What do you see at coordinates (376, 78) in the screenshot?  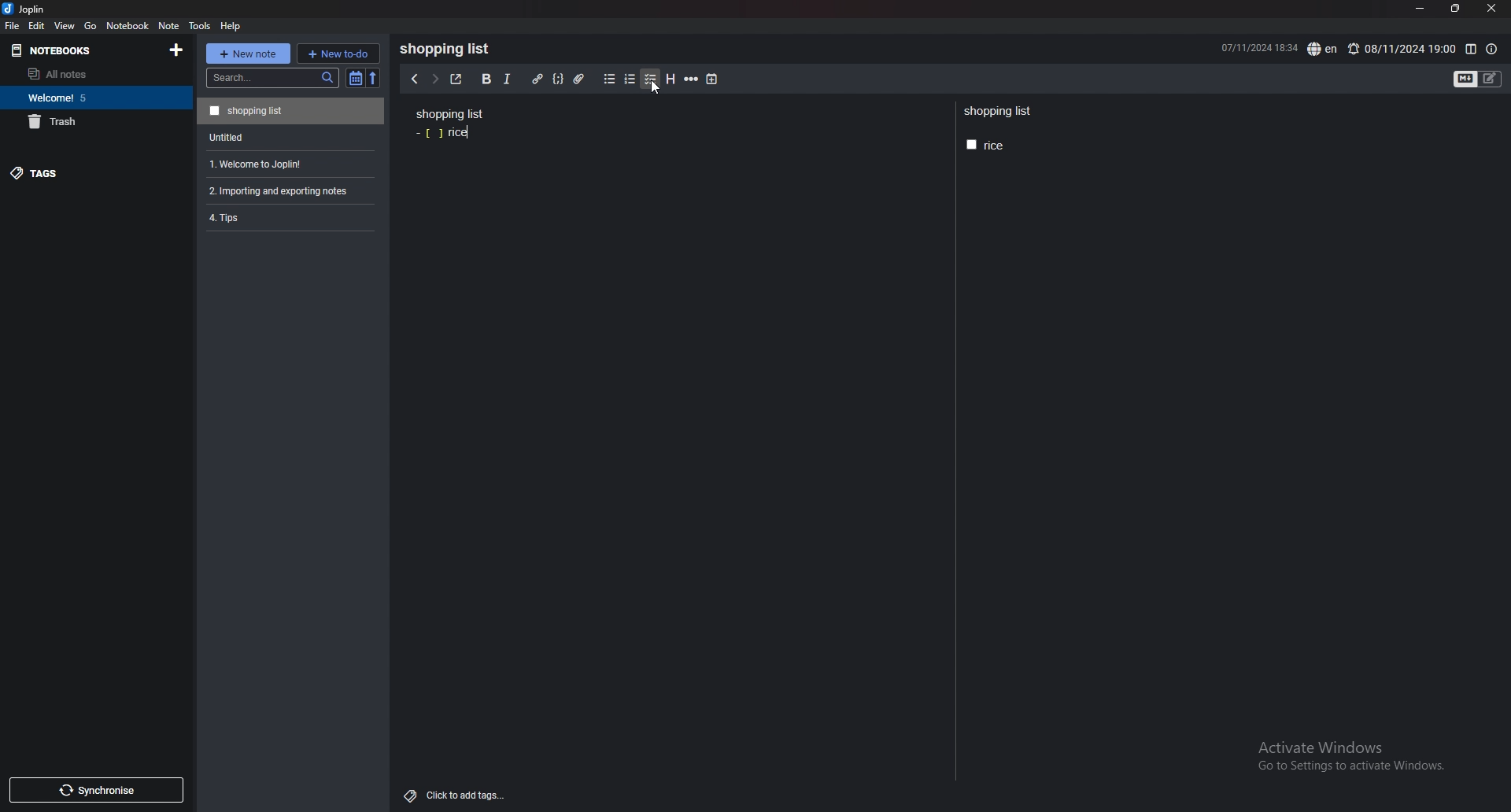 I see `reverse sort order` at bounding box center [376, 78].